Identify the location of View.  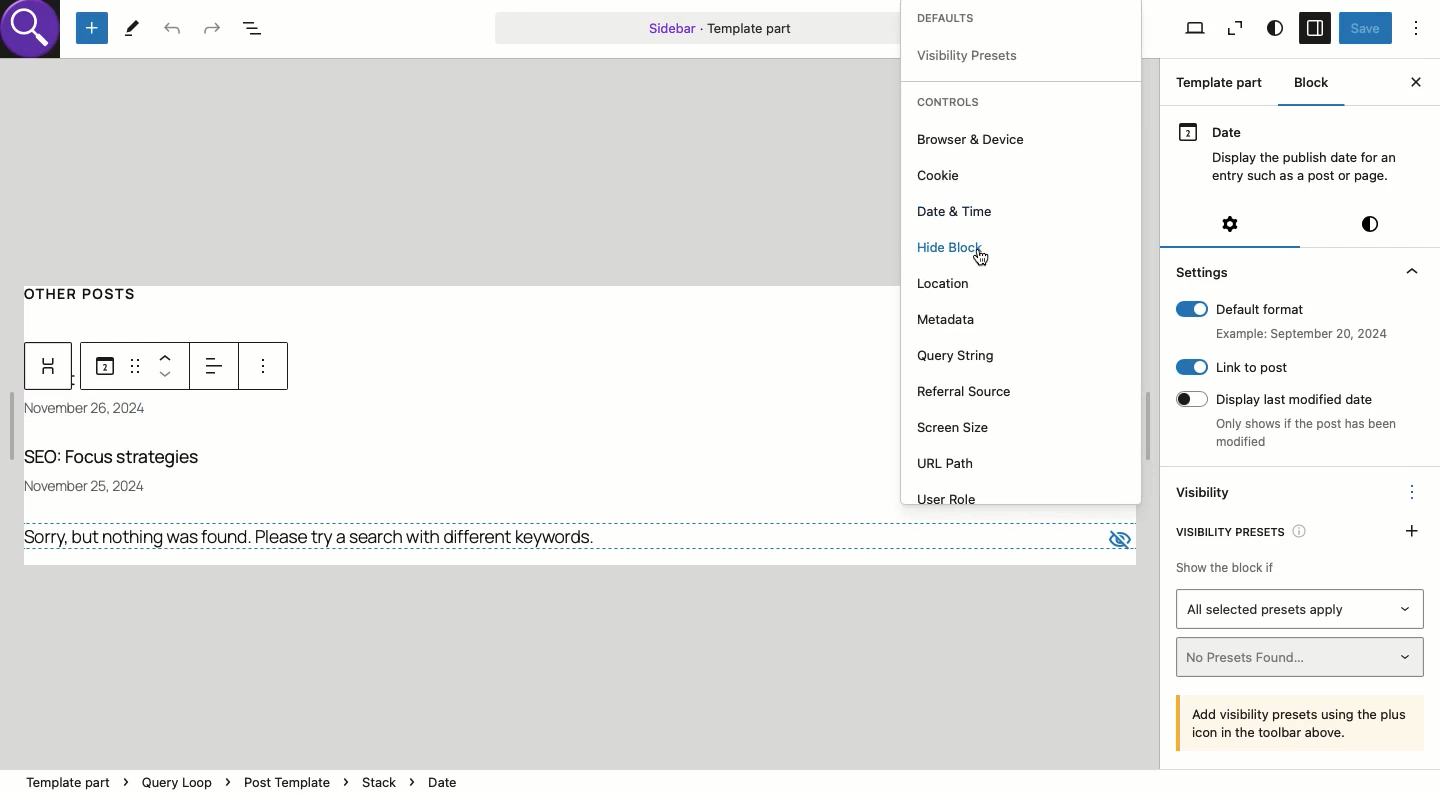
(1235, 29).